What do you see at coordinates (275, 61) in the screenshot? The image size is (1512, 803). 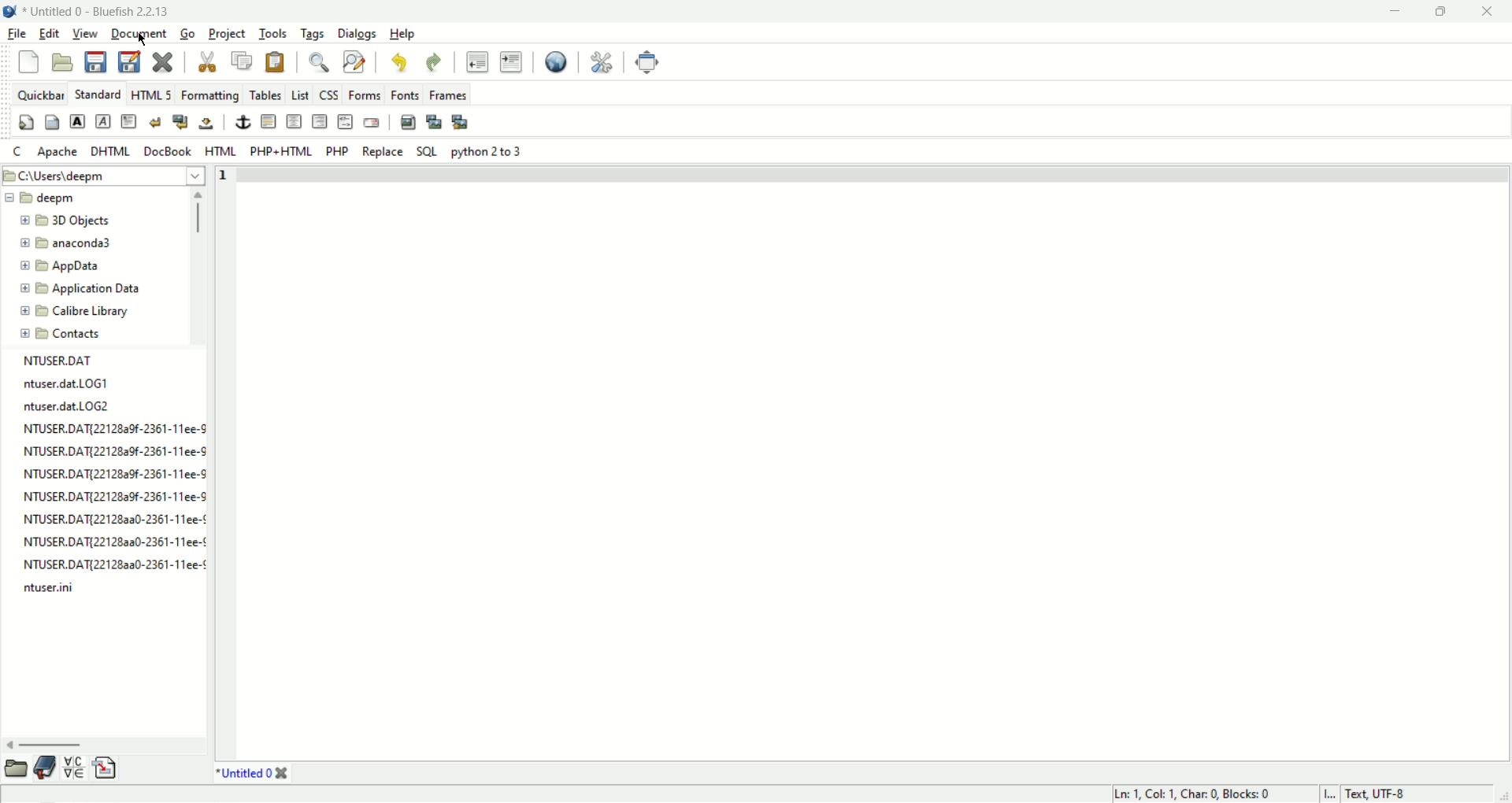 I see `paste` at bounding box center [275, 61].